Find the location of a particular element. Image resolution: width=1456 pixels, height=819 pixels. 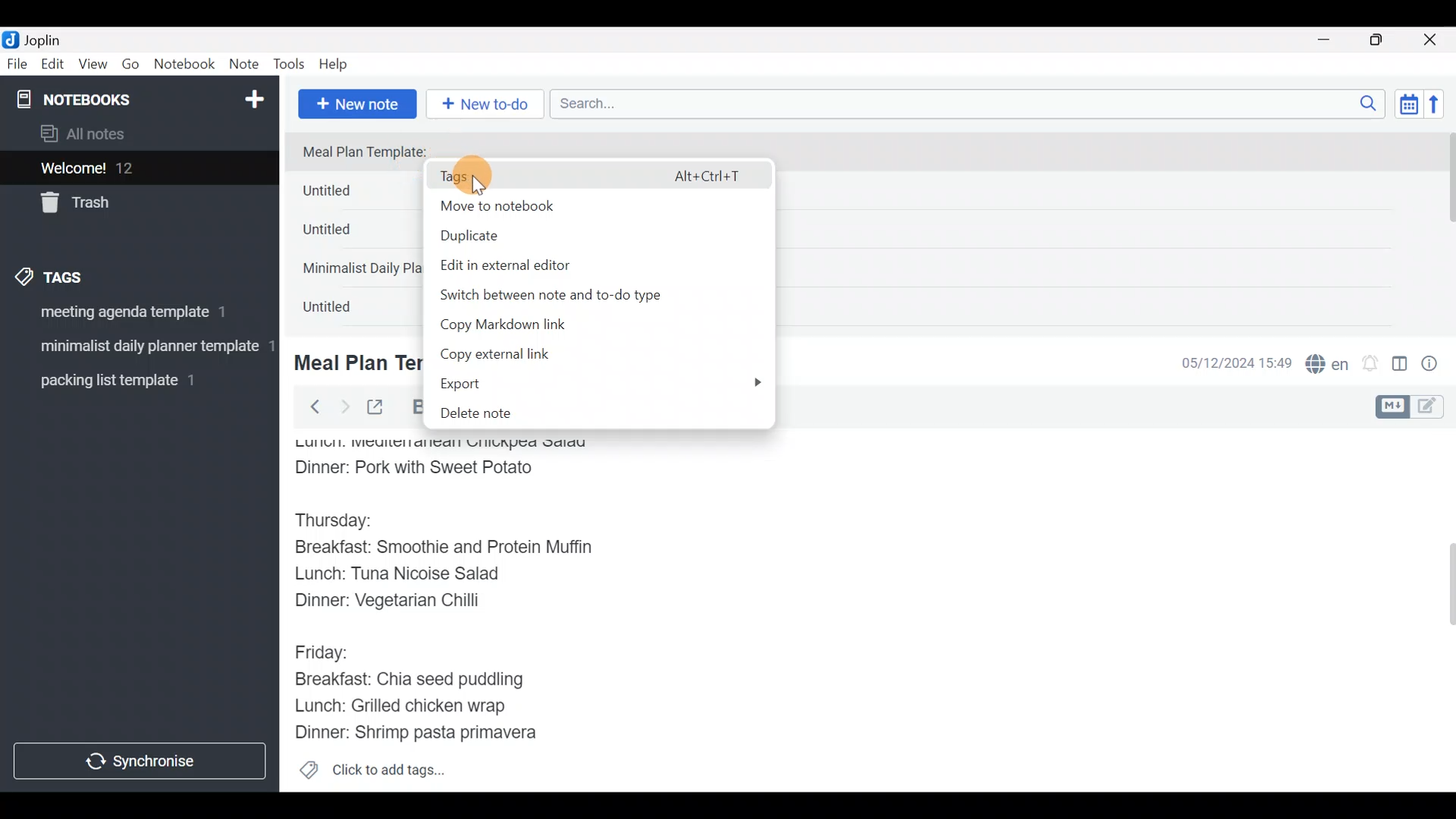

Toggle editor layout is located at coordinates (1401, 366).